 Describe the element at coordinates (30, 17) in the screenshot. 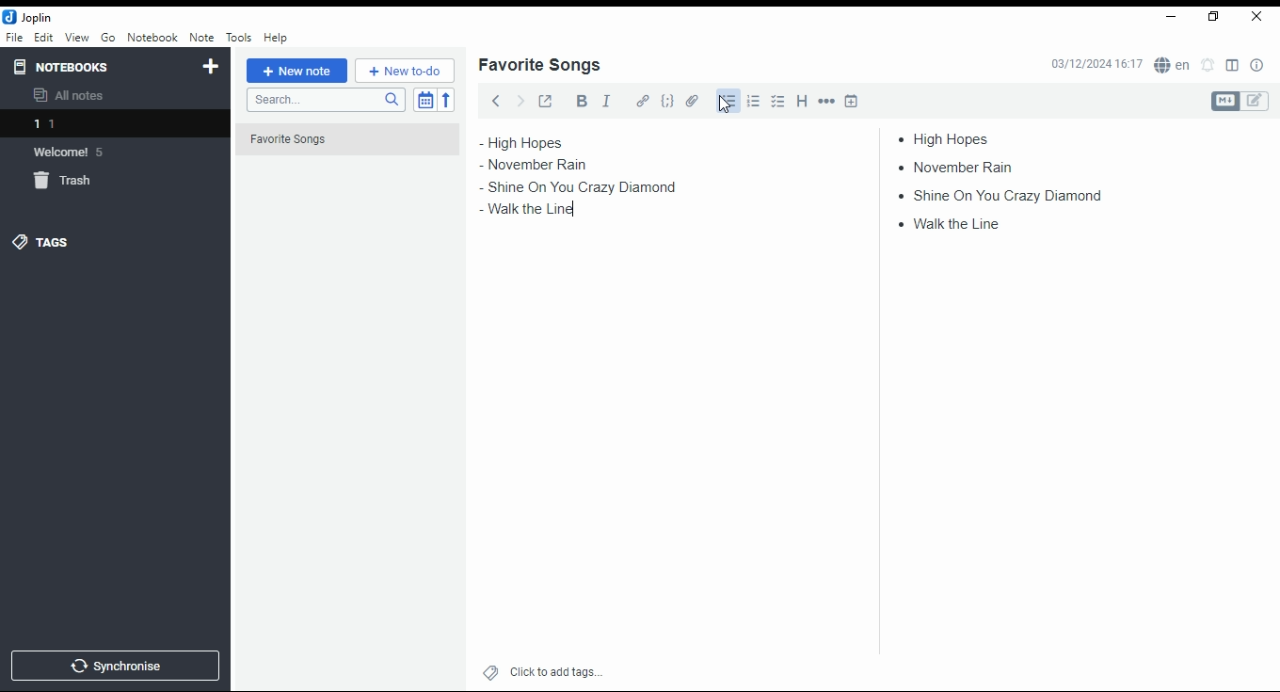

I see `icon` at that location.